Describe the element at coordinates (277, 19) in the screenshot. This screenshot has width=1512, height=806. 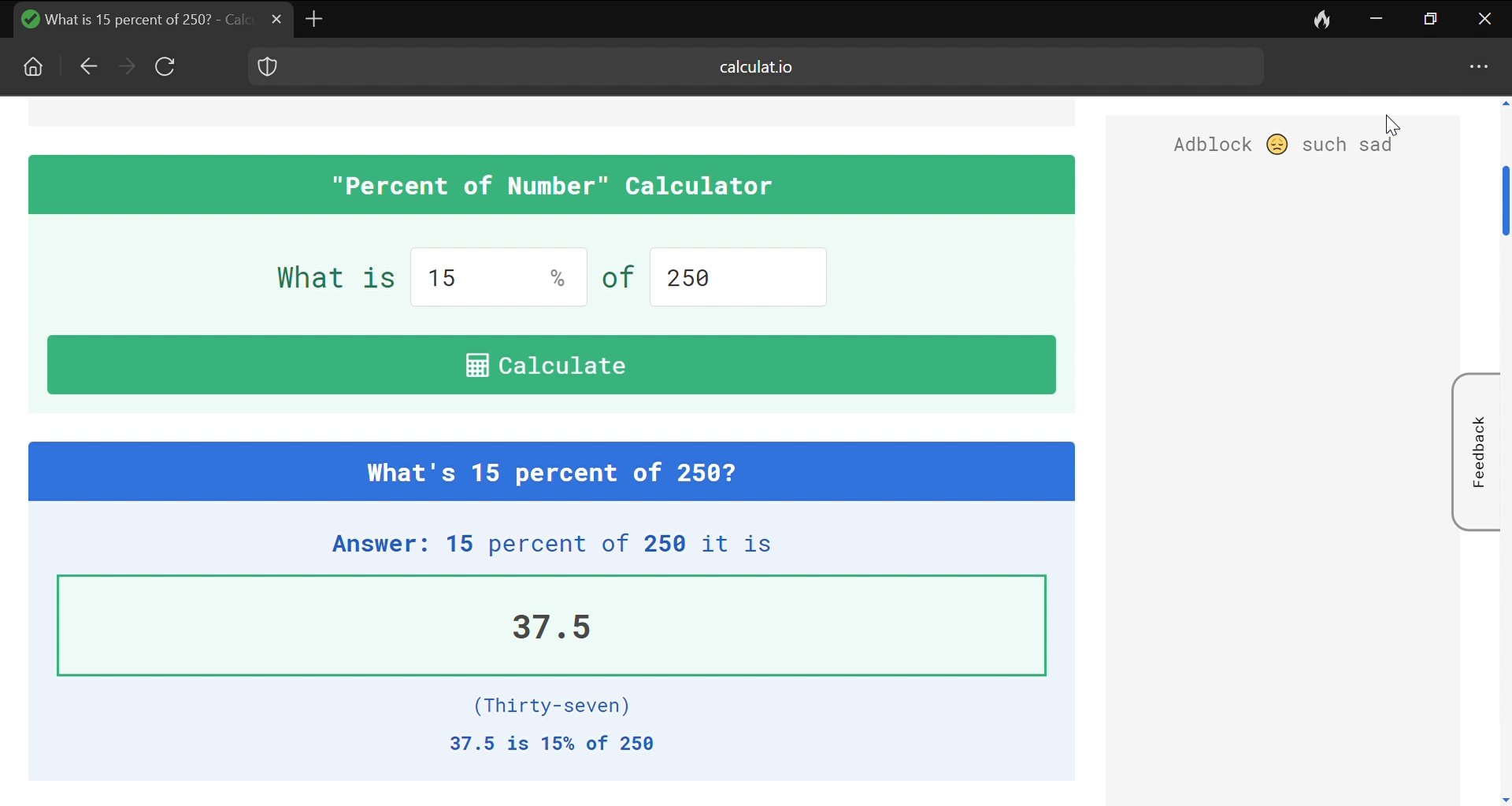
I see `Close current tab` at that location.